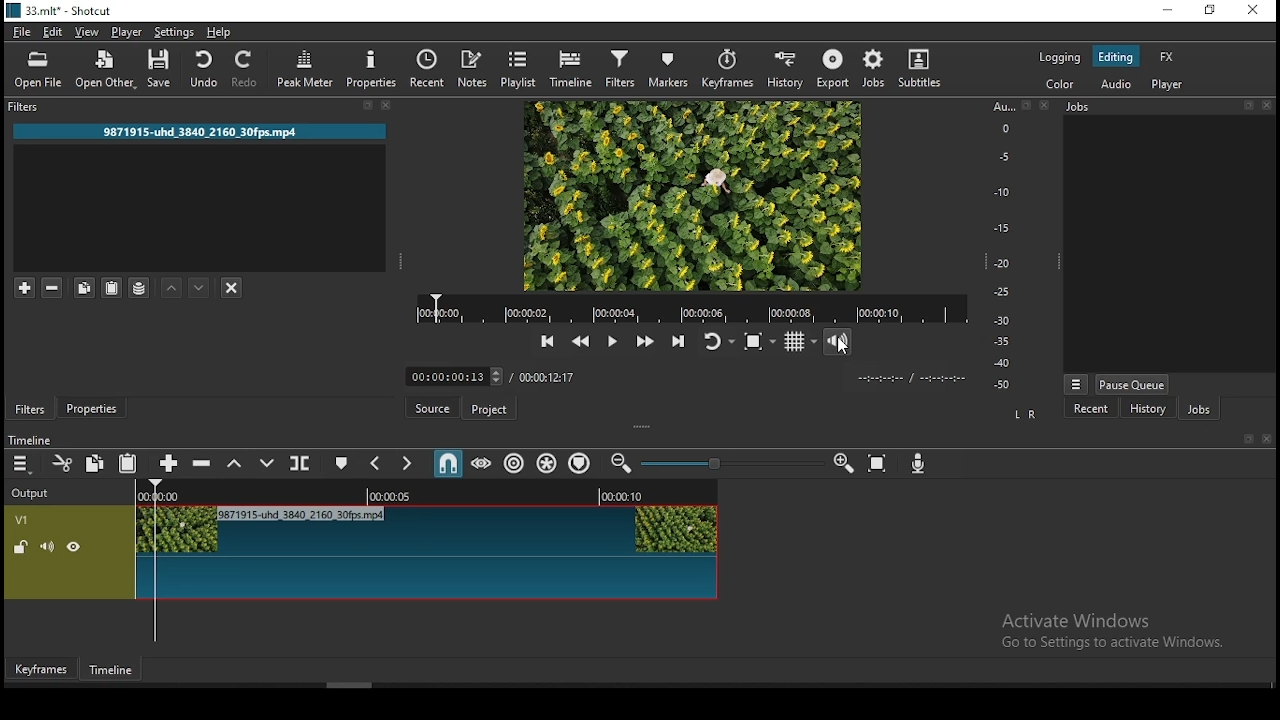 The width and height of the screenshot is (1280, 720). What do you see at coordinates (621, 70) in the screenshot?
I see `filters` at bounding box center [621, 70].